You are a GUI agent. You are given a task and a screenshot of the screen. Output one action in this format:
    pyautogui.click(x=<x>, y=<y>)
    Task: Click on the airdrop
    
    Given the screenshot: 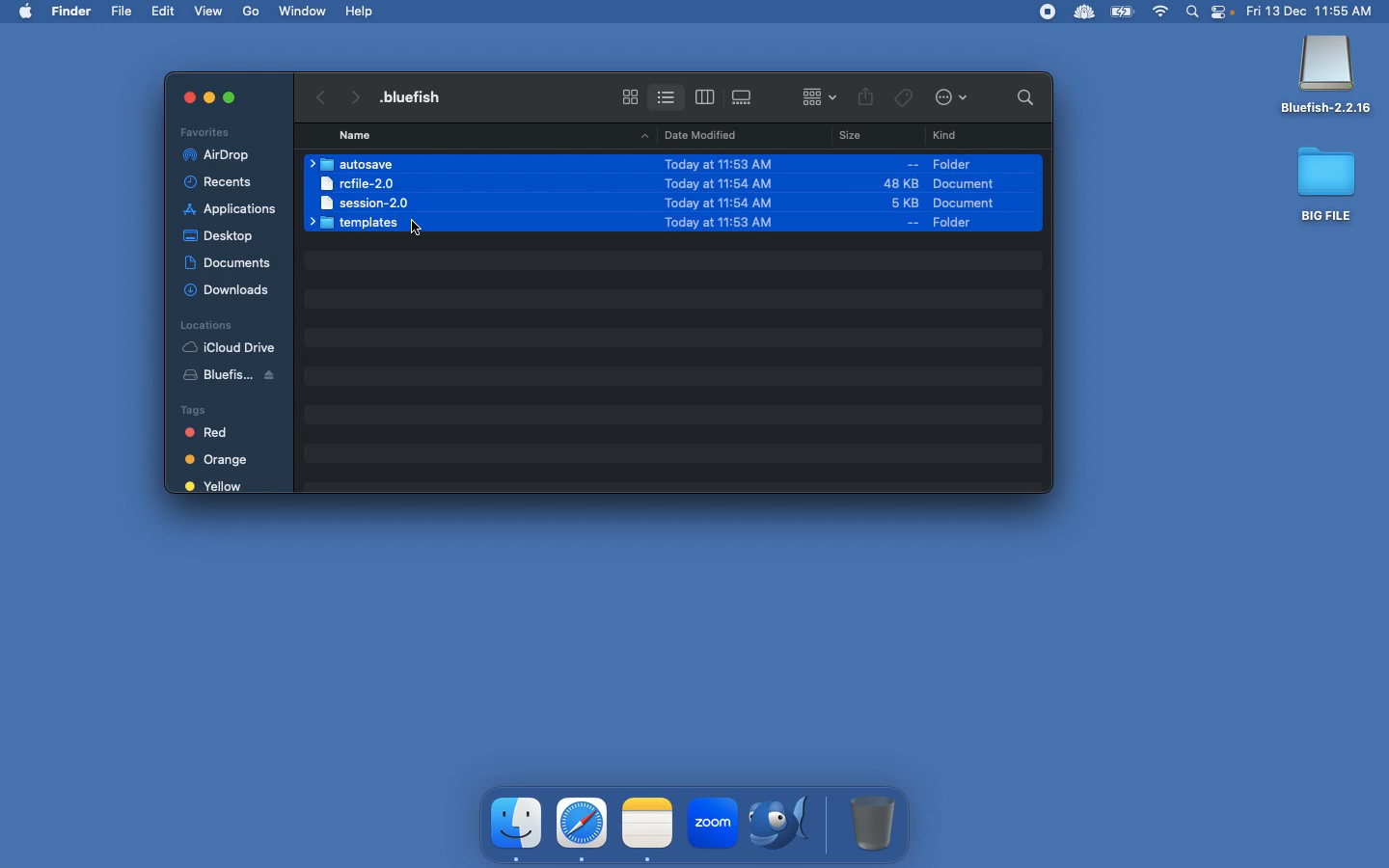 What is the action you would take?
    pyautogui.click(x=220, y=155)
    